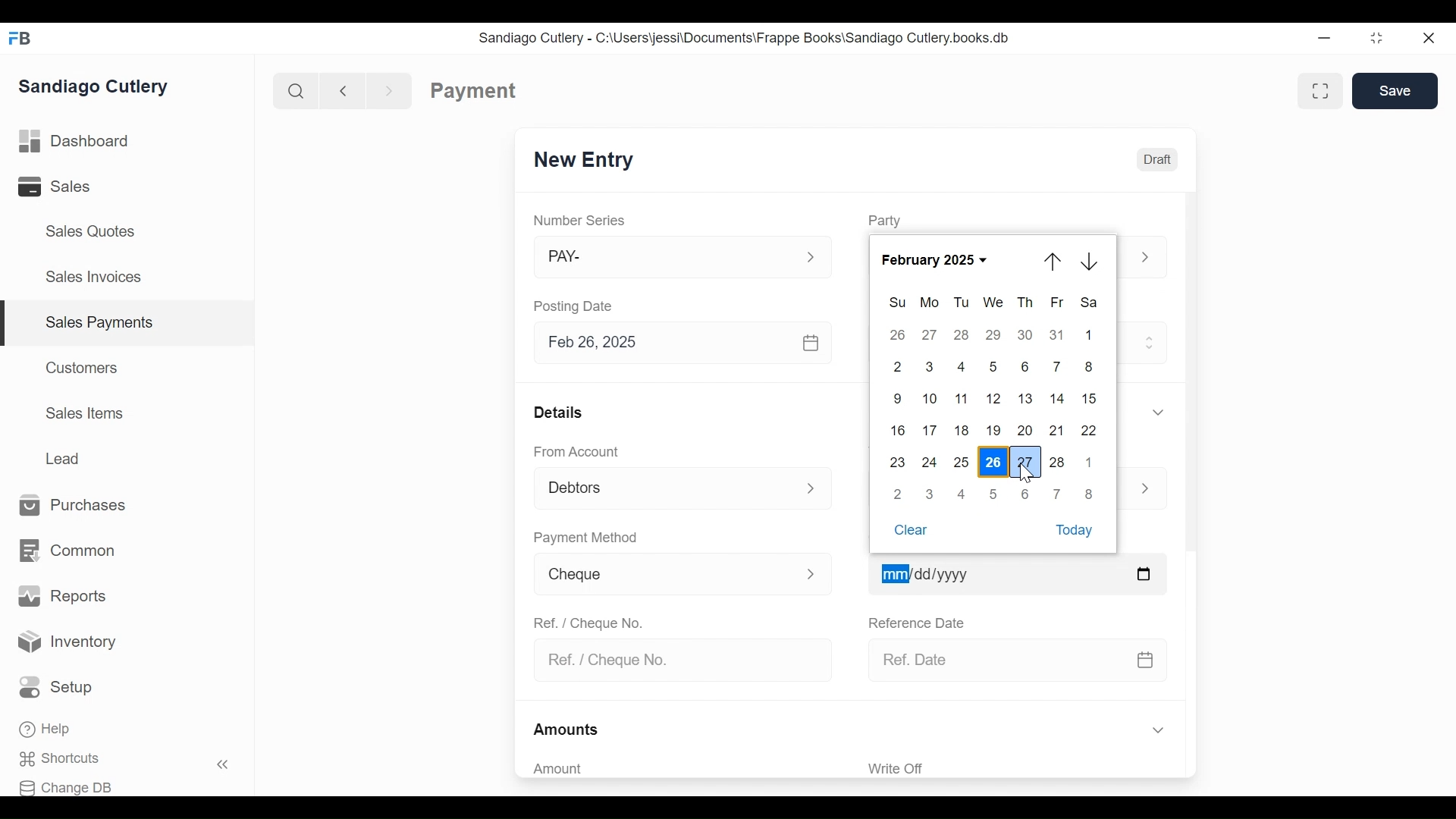 This screenshot has height=819, width=1456. Describe the element at coordinates (1376, 39) in the screenshot. I see `Restore` at that location.